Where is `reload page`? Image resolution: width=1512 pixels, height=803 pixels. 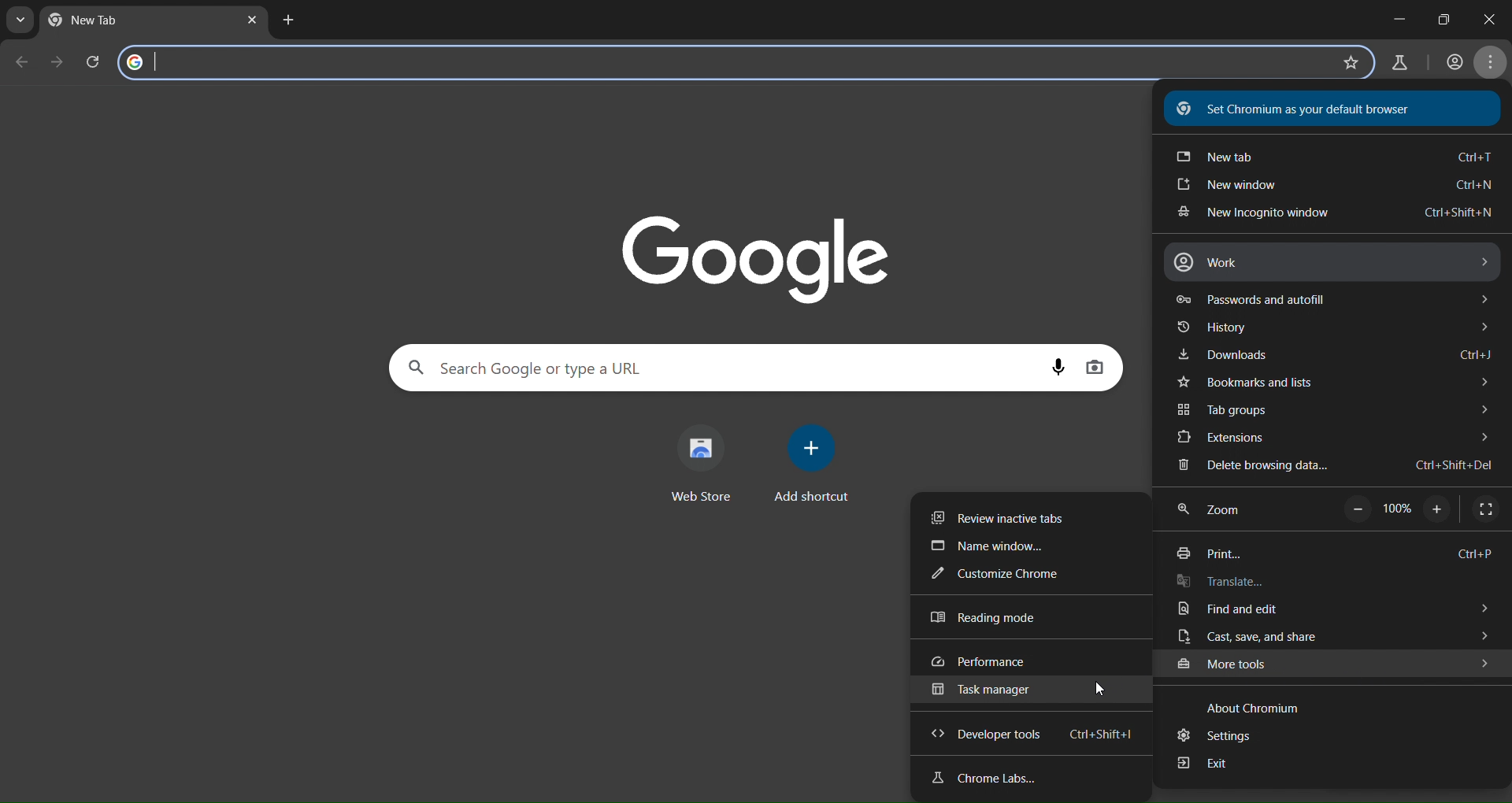 reload page is located at coordinates (95, 61).